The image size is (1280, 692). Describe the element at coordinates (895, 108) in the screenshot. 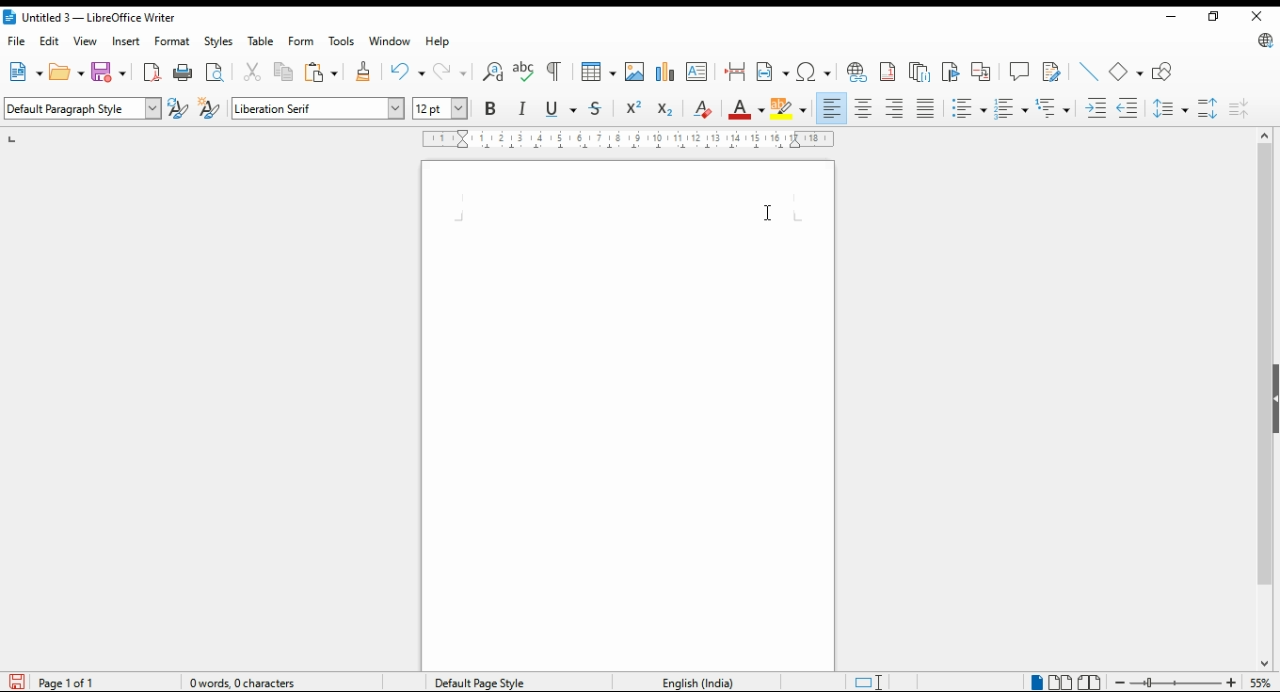

I see `align right` at that location.